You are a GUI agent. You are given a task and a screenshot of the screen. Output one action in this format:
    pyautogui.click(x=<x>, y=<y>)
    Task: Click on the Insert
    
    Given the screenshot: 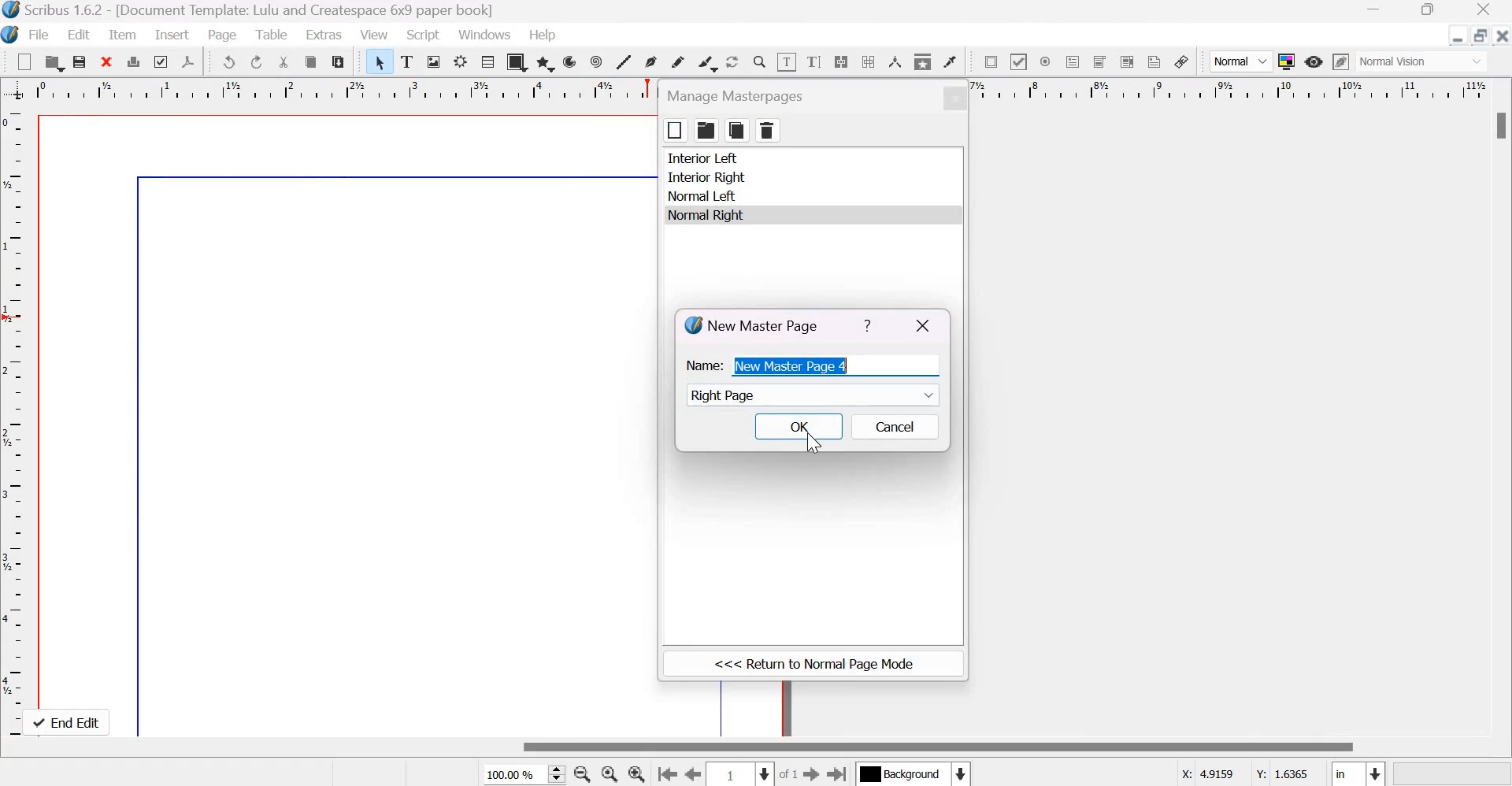 What is the action you would take?
    pyautogui.click(x=172, y=35)
    